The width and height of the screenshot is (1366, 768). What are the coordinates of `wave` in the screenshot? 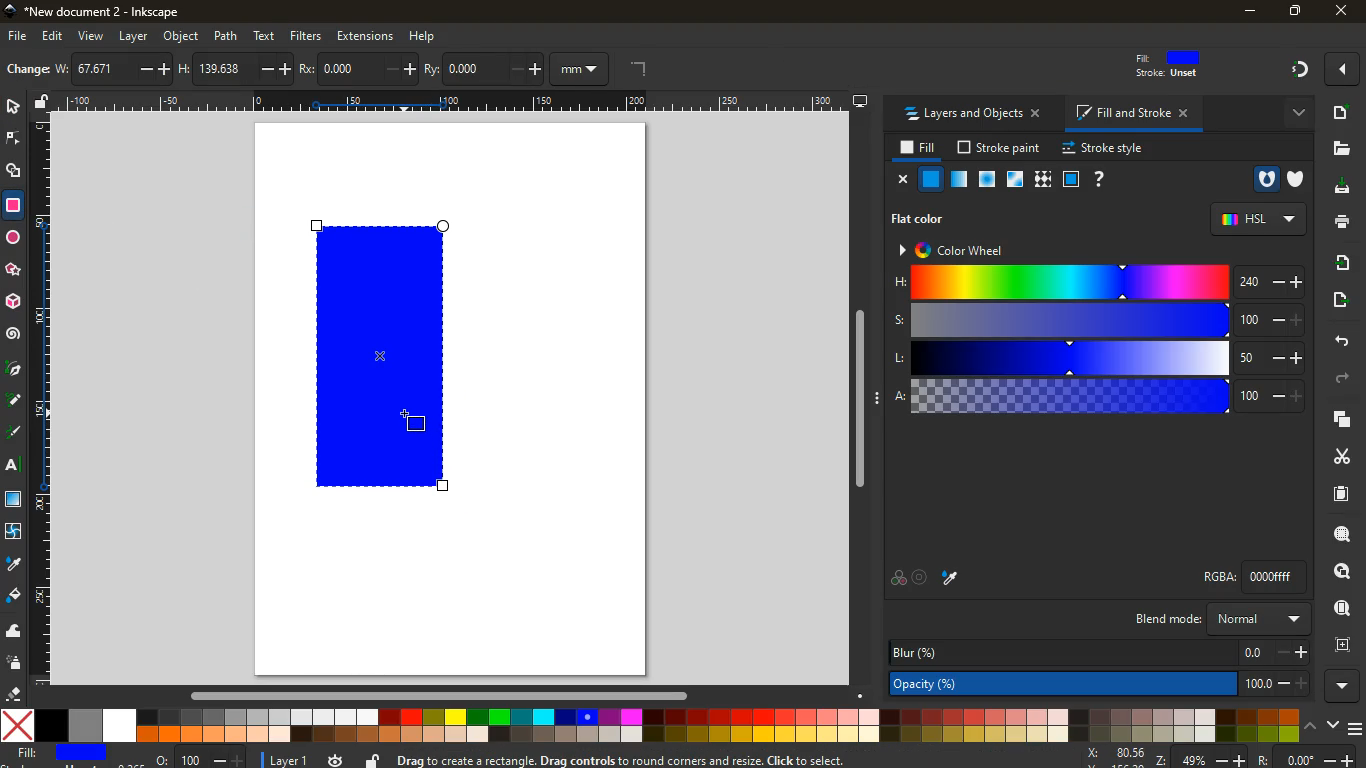 It's located at (14, 631).